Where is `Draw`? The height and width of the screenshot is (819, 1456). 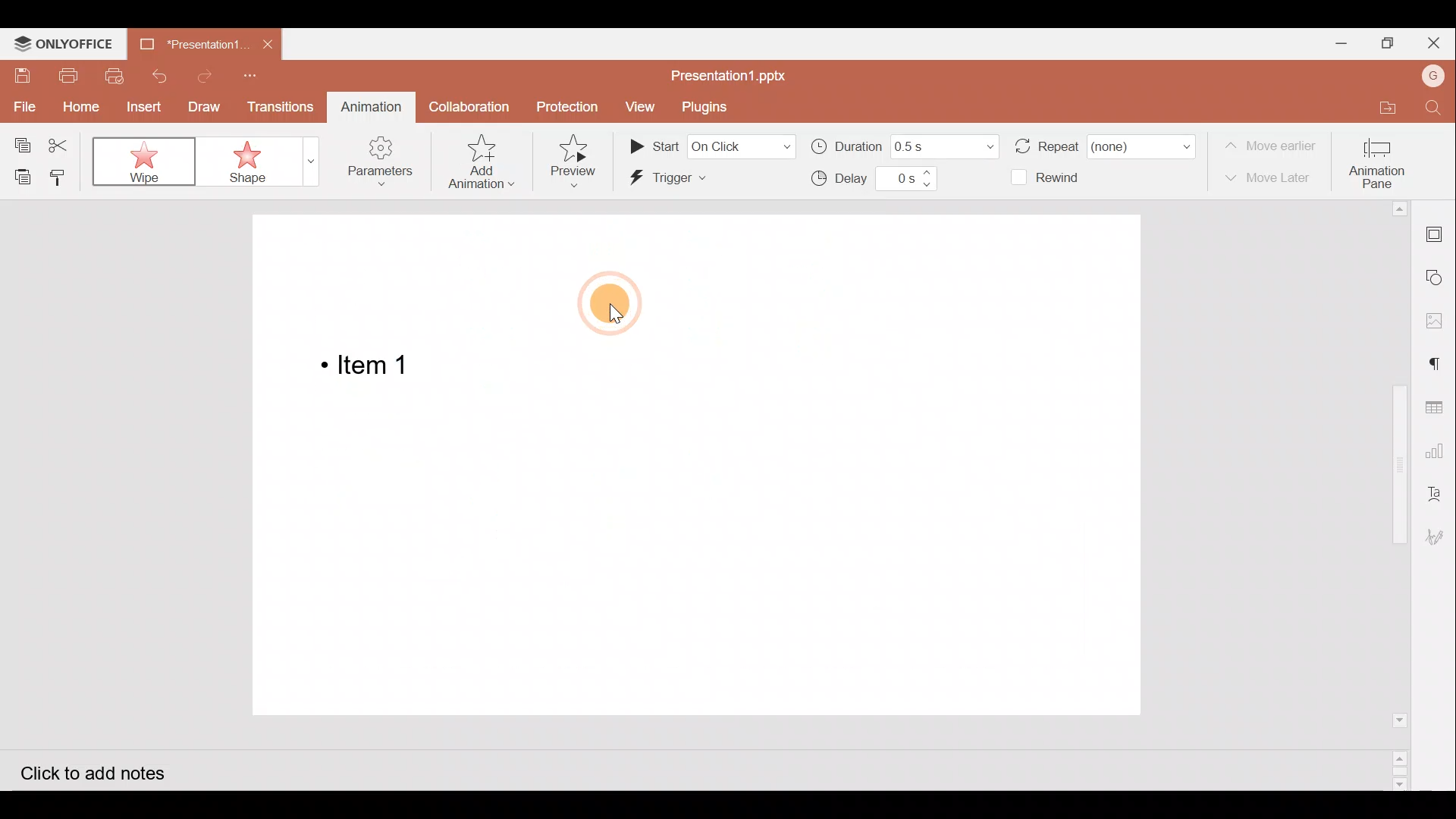
Draw is located at coordinates (201, 107).